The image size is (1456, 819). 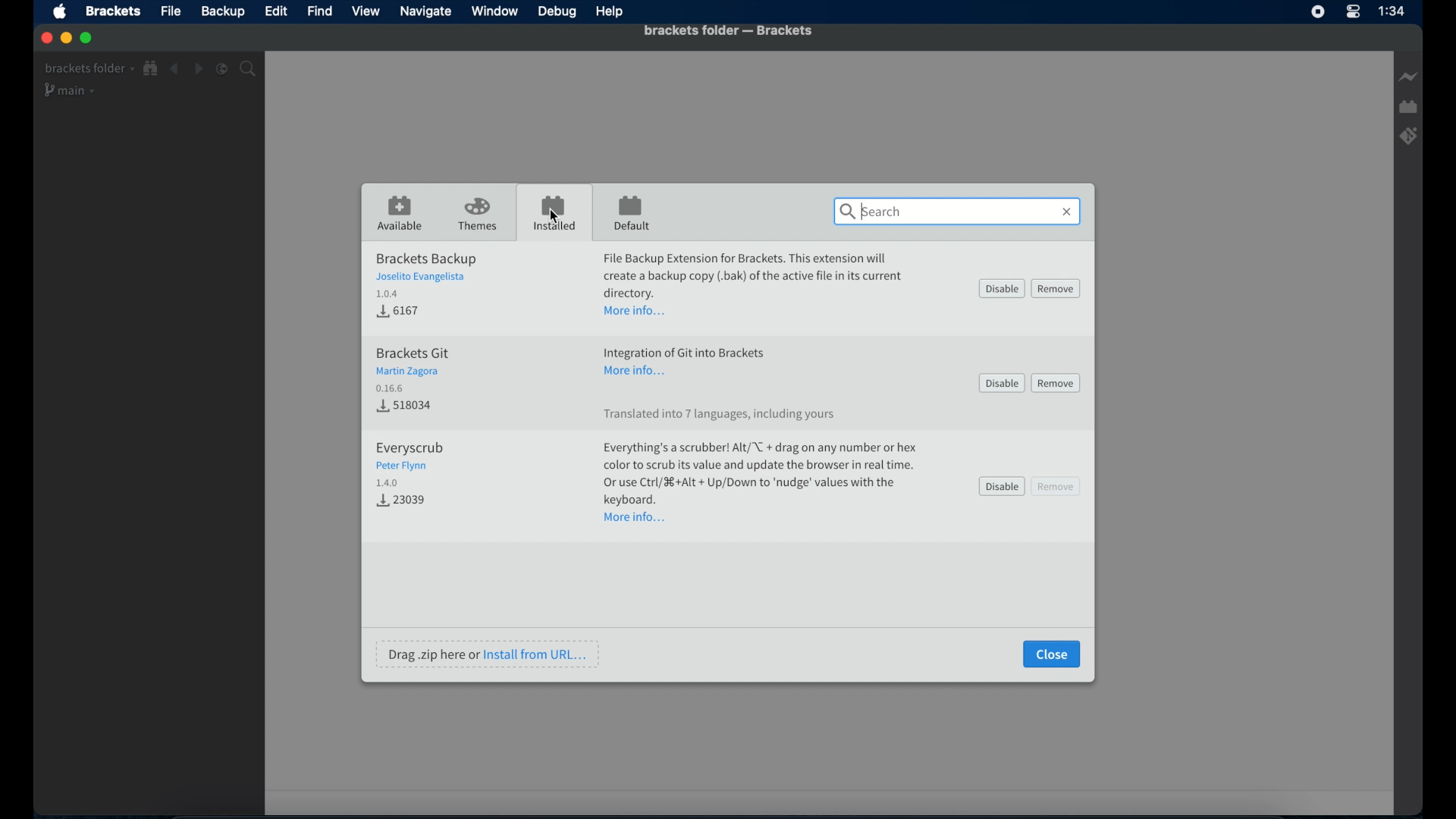 I want to click on drag .zip here or install from url..., so click(x=487, y=654).